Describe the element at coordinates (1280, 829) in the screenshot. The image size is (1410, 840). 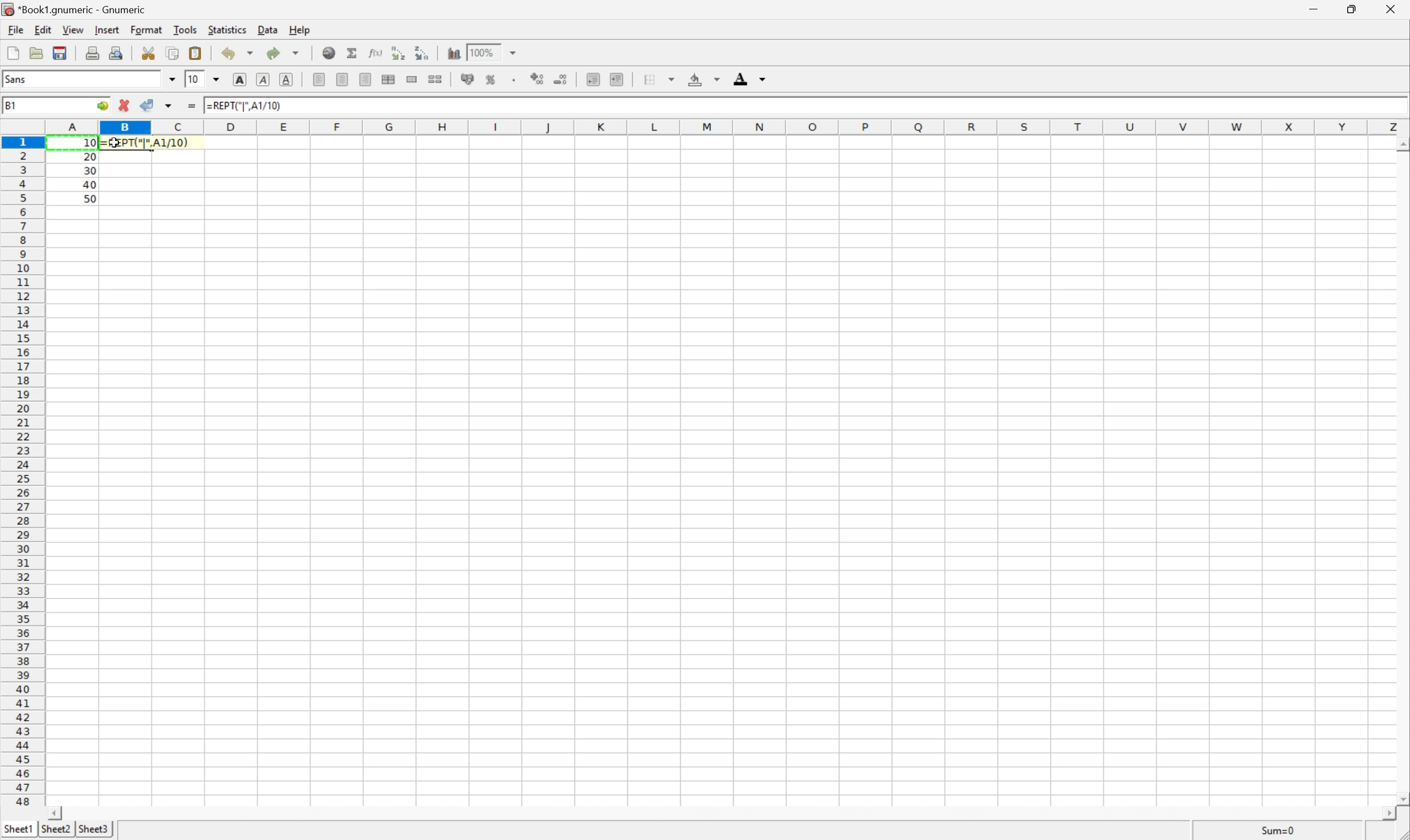
I see `Sum=10` at that location.